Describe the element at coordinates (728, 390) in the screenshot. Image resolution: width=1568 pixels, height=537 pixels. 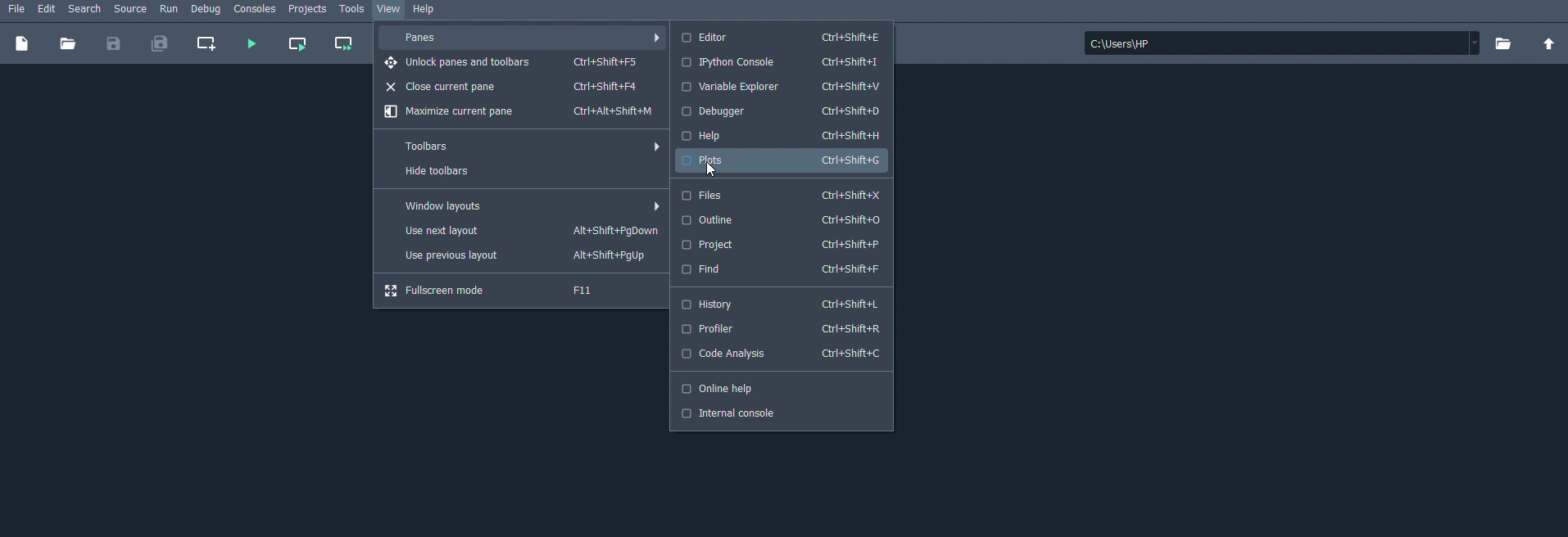
I see `Online help` at that location.